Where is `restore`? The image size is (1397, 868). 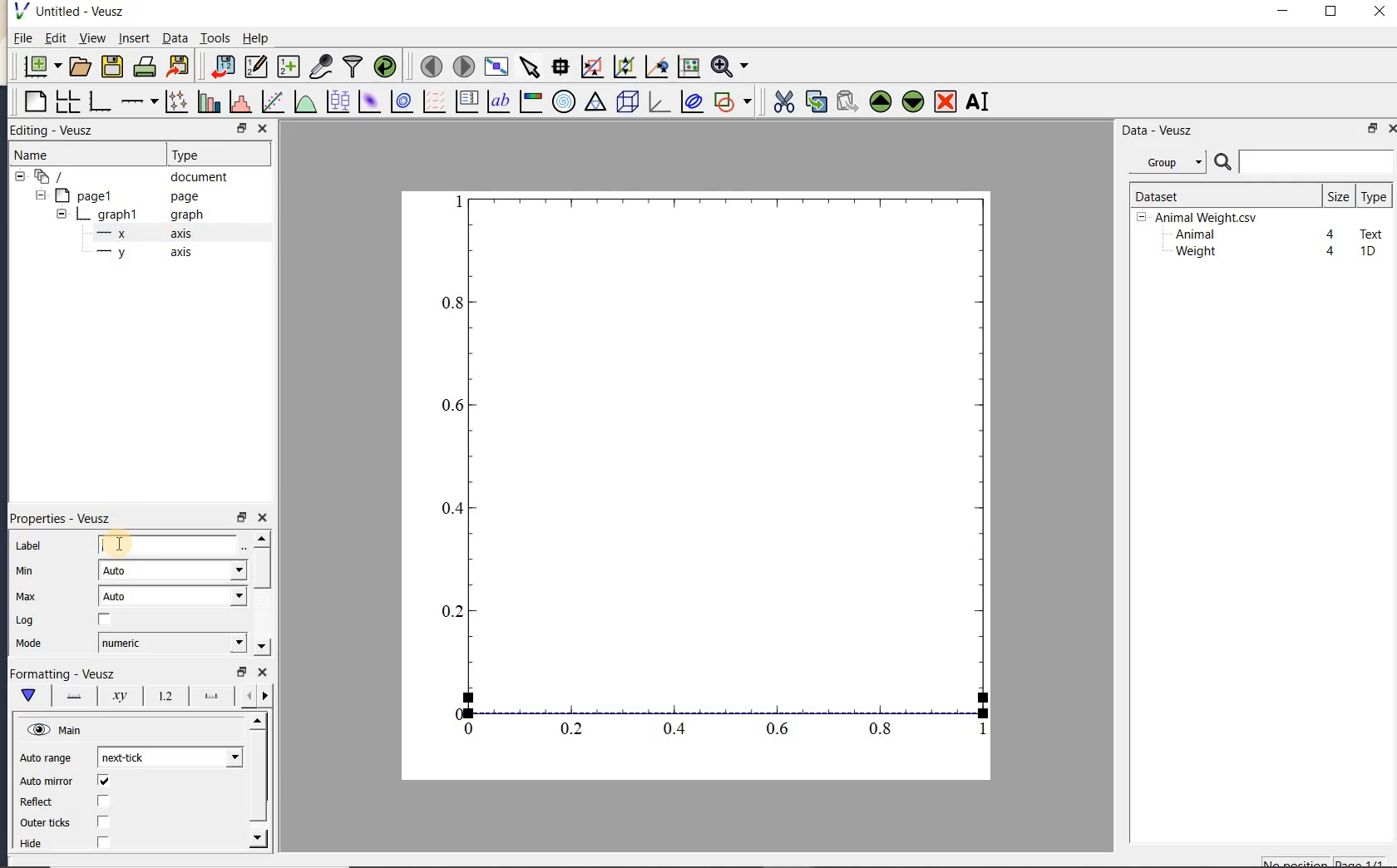
restore is located at coordinates (1374, 128).